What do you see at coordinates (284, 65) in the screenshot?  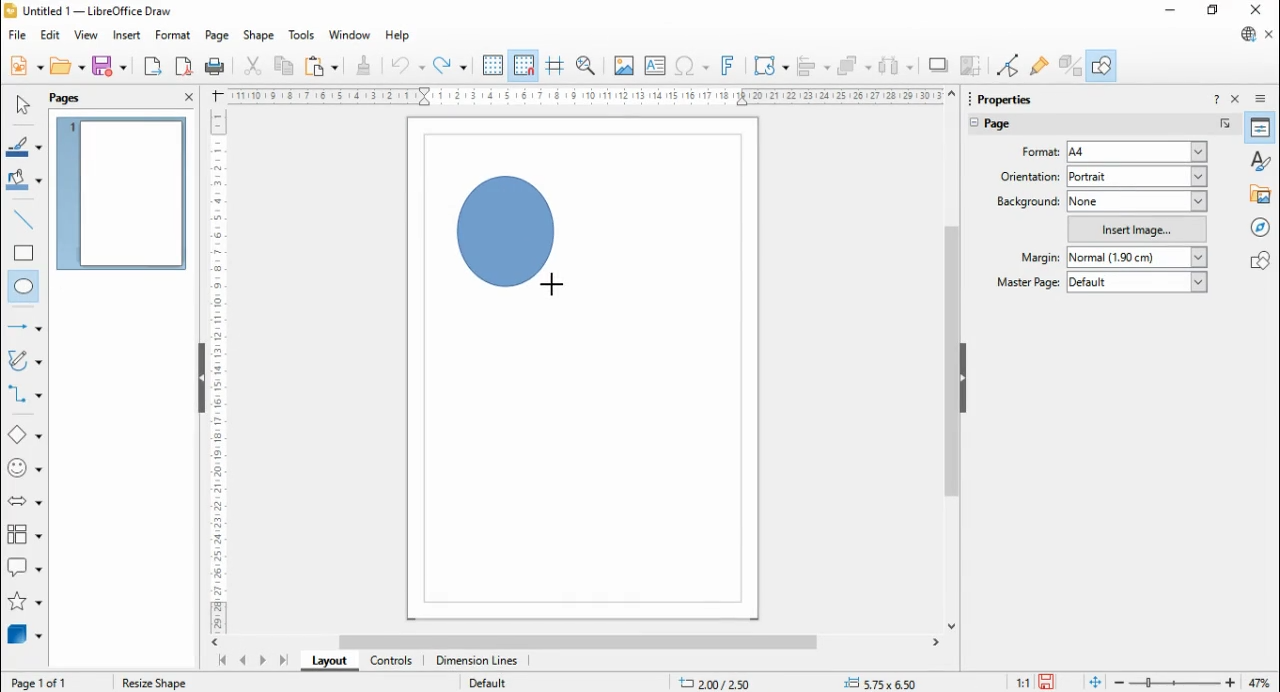 I see `copy` at bounding box center [284, 65].